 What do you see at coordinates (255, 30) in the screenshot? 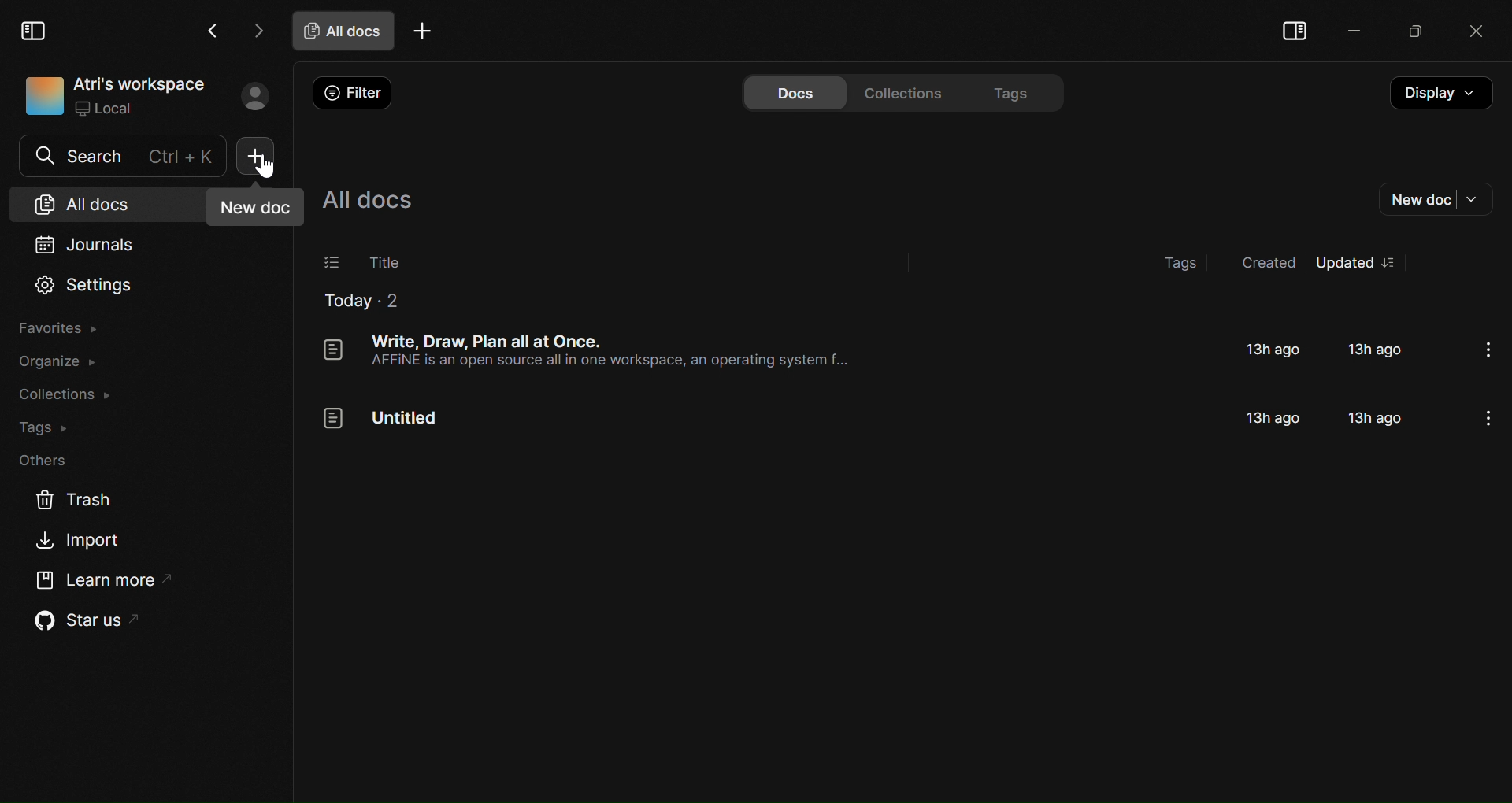
I see `Go forward` at bounding box center [255, 30].